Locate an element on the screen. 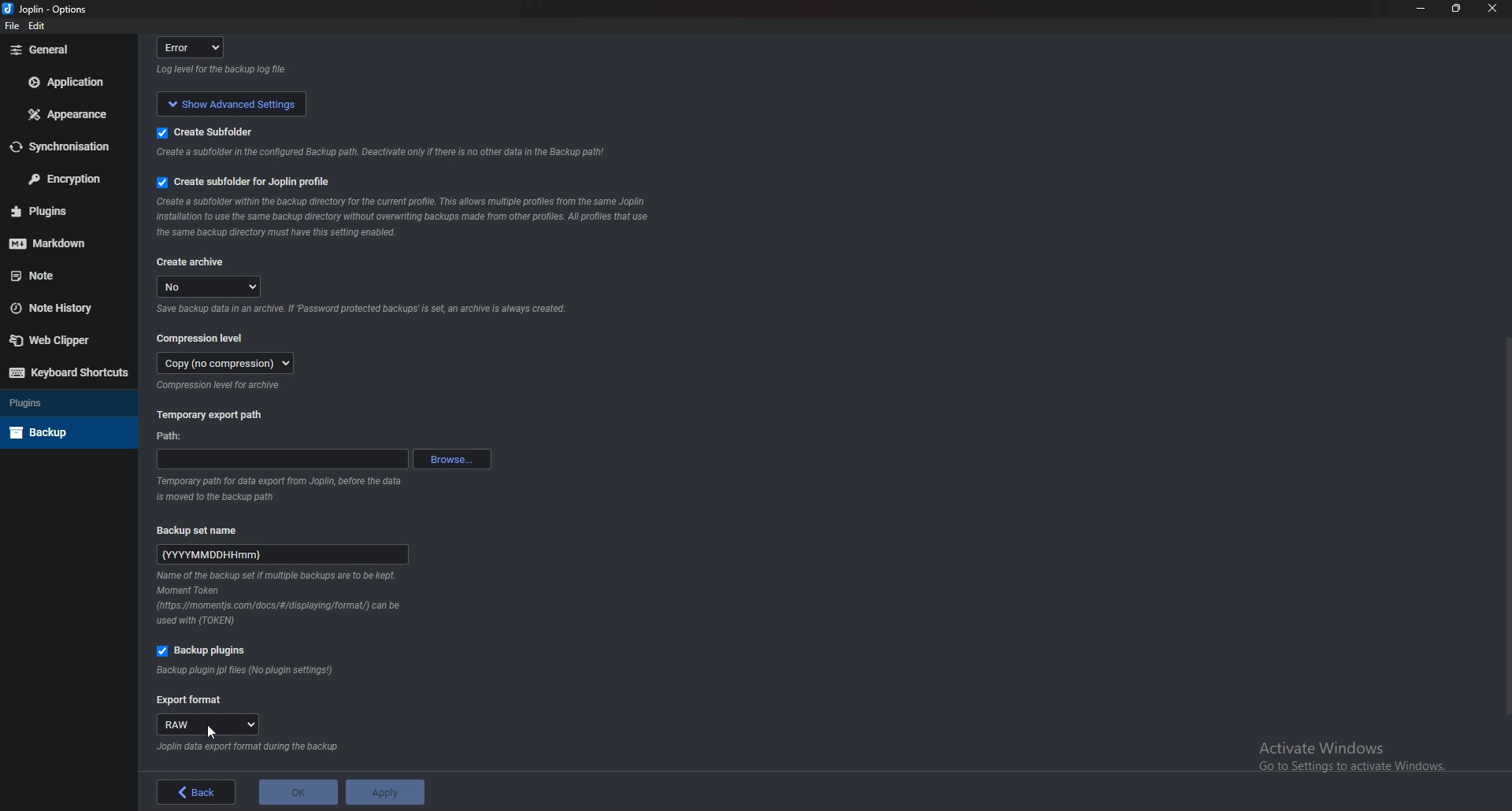 Image resolution: width=1512 pixels, height=811 pixels. Info is located at coordinates (402, 218).